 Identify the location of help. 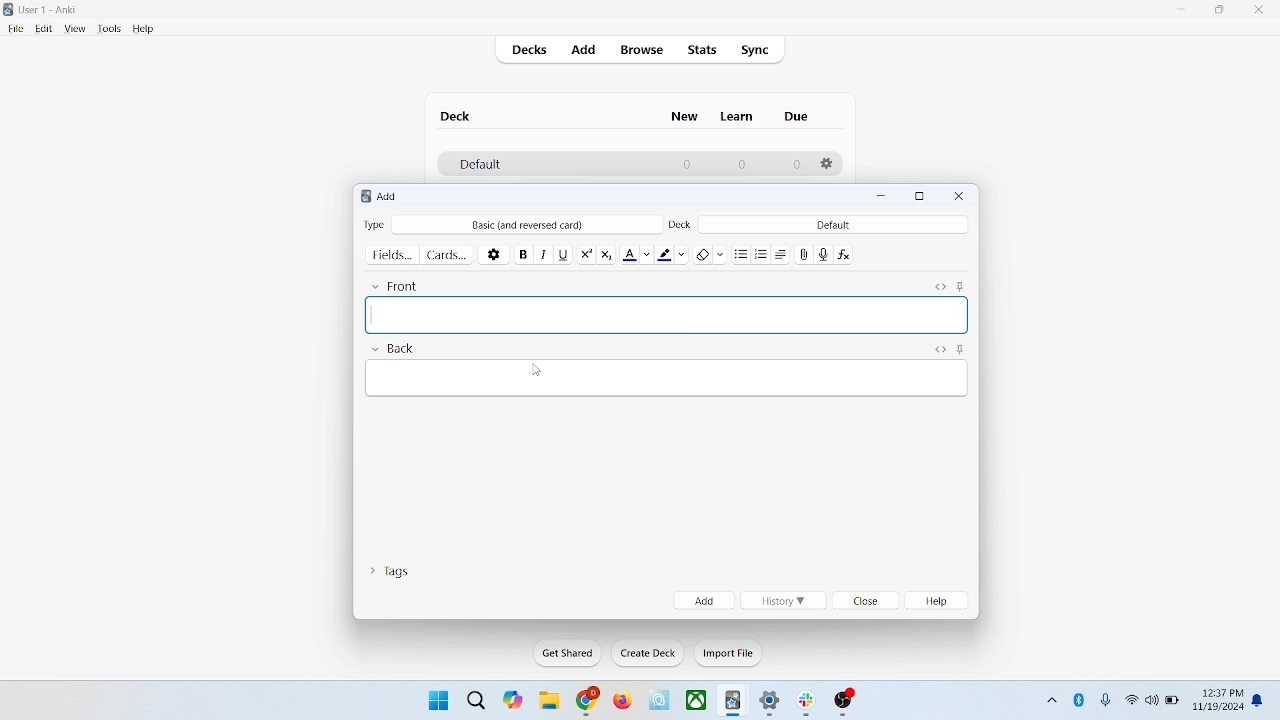
(940, 601).